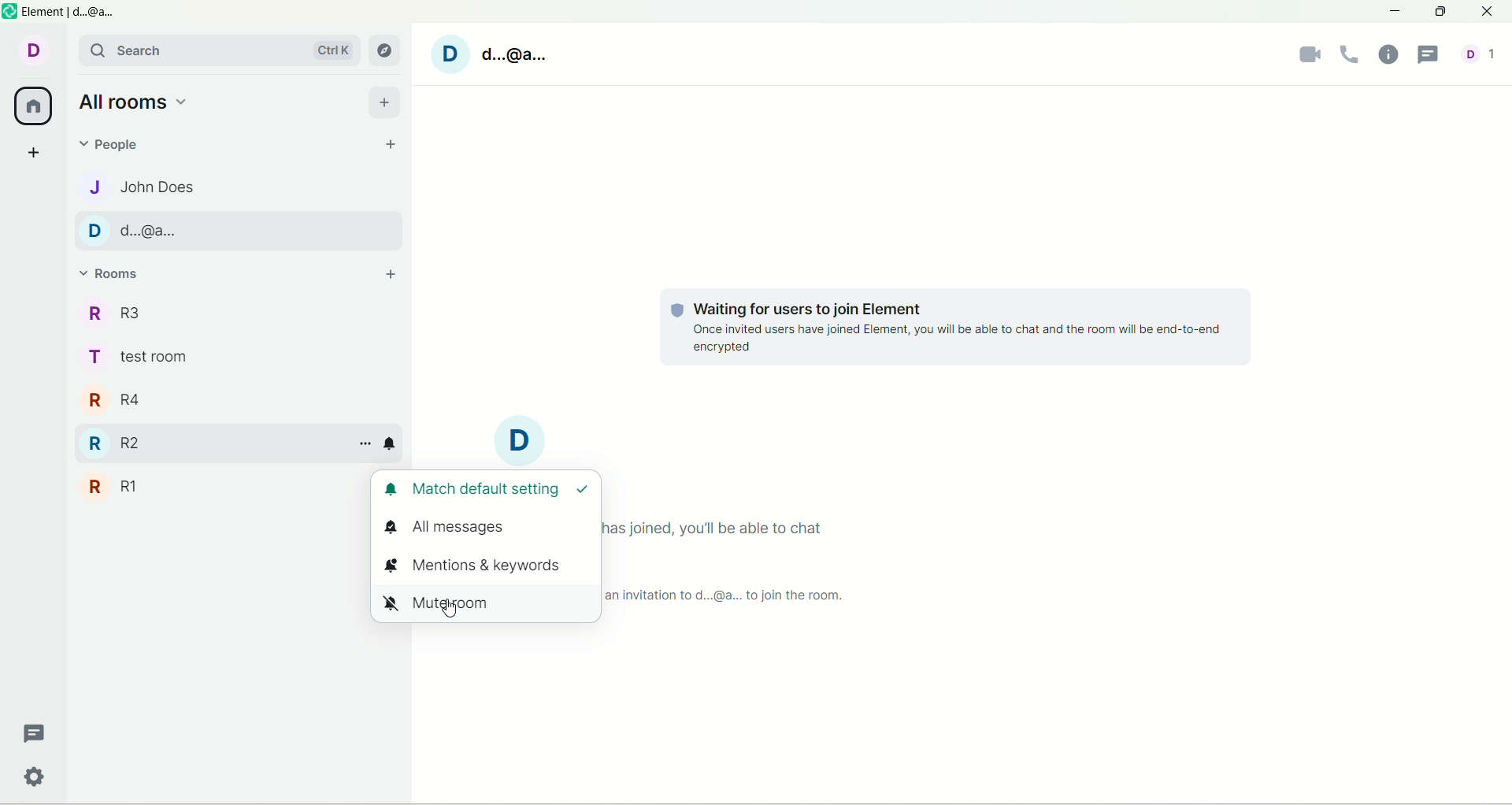  What do you see at coordinates (134, 102) in the screenshot?
I see `all rooms` at bounding box center [134, 102].